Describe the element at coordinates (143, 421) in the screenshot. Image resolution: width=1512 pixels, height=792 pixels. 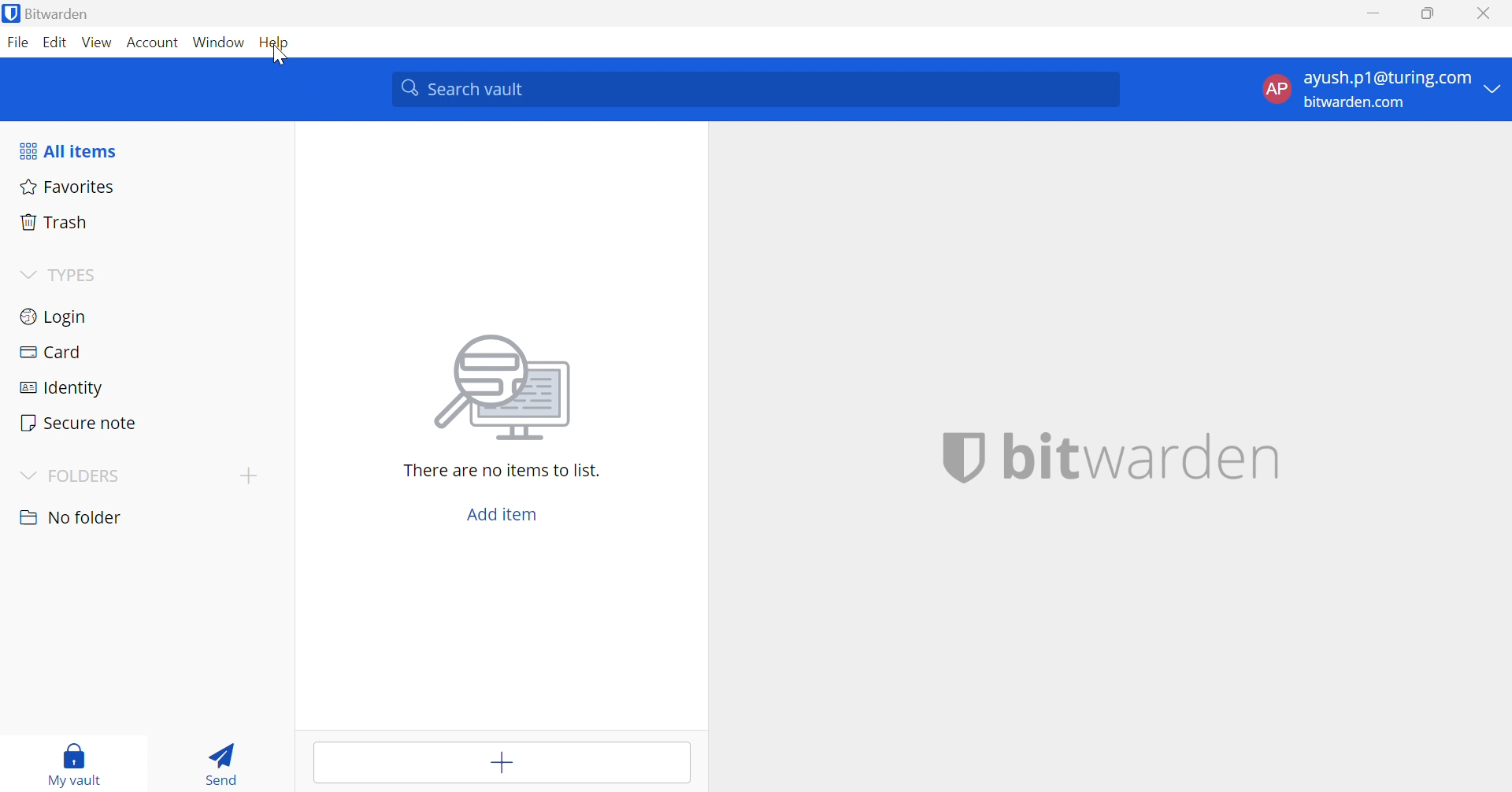
I see `Secure note` at that location.